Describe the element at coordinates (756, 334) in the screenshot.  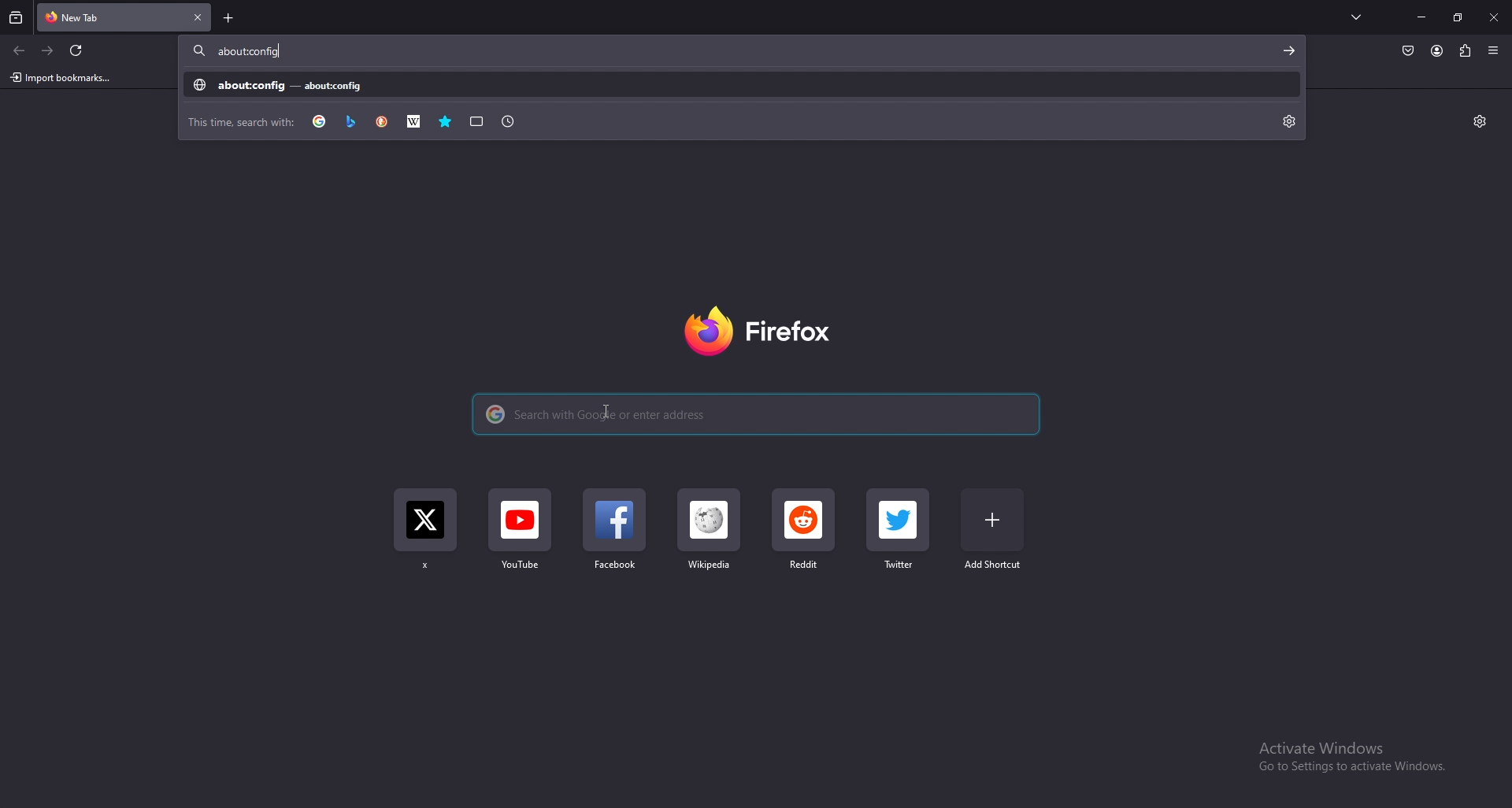
I see `firefox` at that location.